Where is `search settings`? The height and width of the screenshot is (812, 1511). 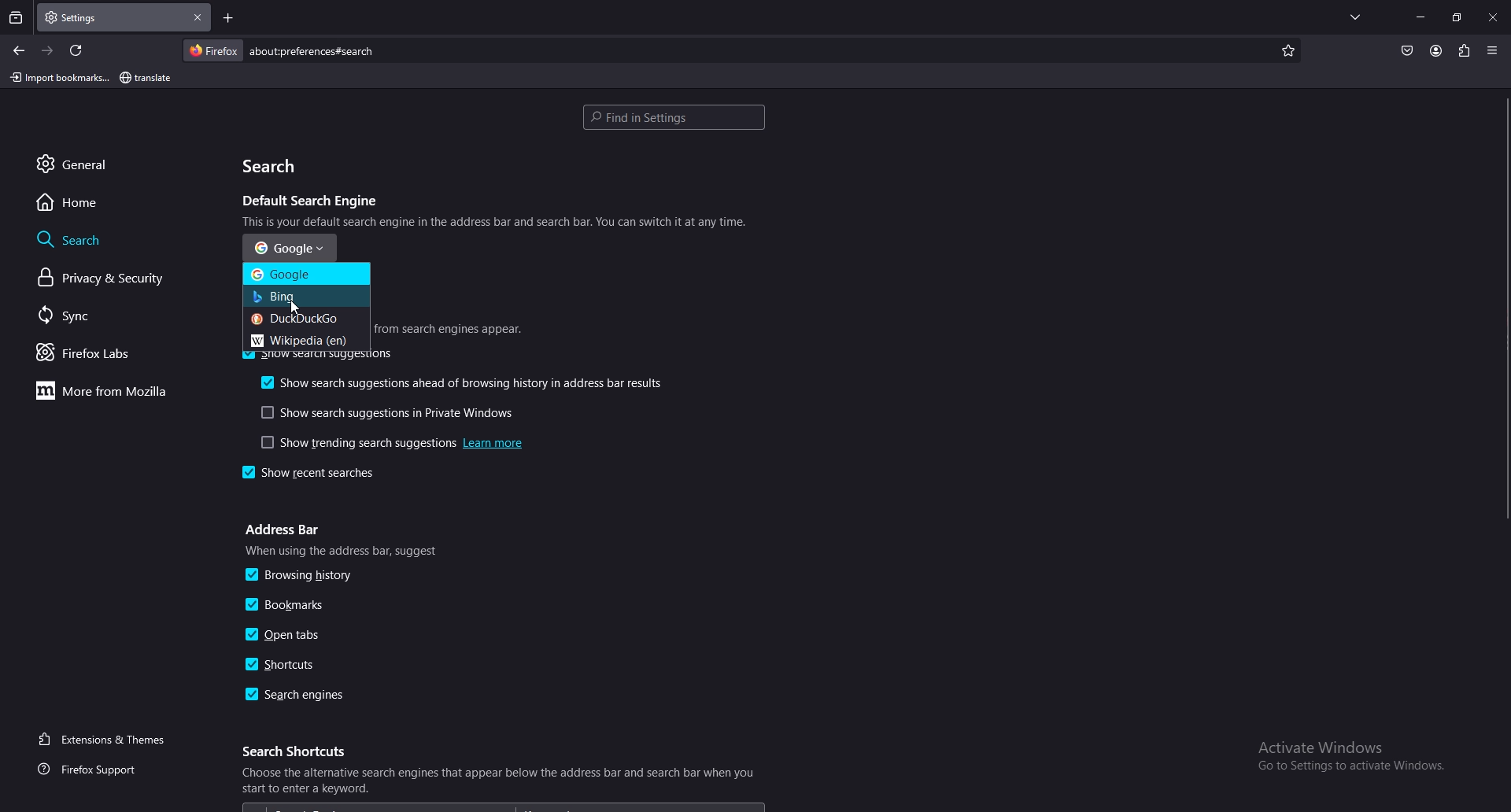
search settings is located at coordinates (674, 118).